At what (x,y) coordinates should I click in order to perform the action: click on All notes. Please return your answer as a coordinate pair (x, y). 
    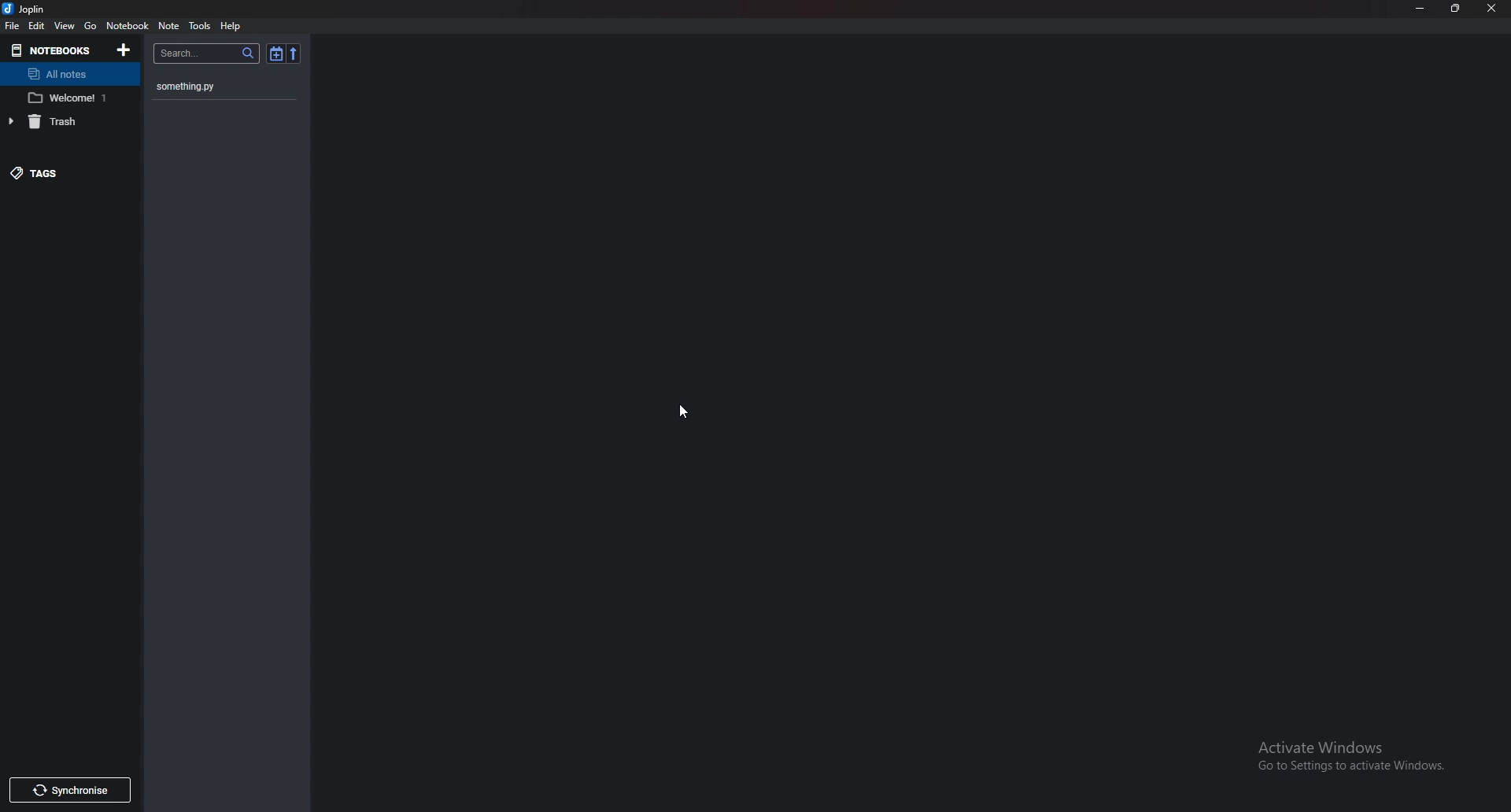
    Looking at the image, I should click on (68, 74).